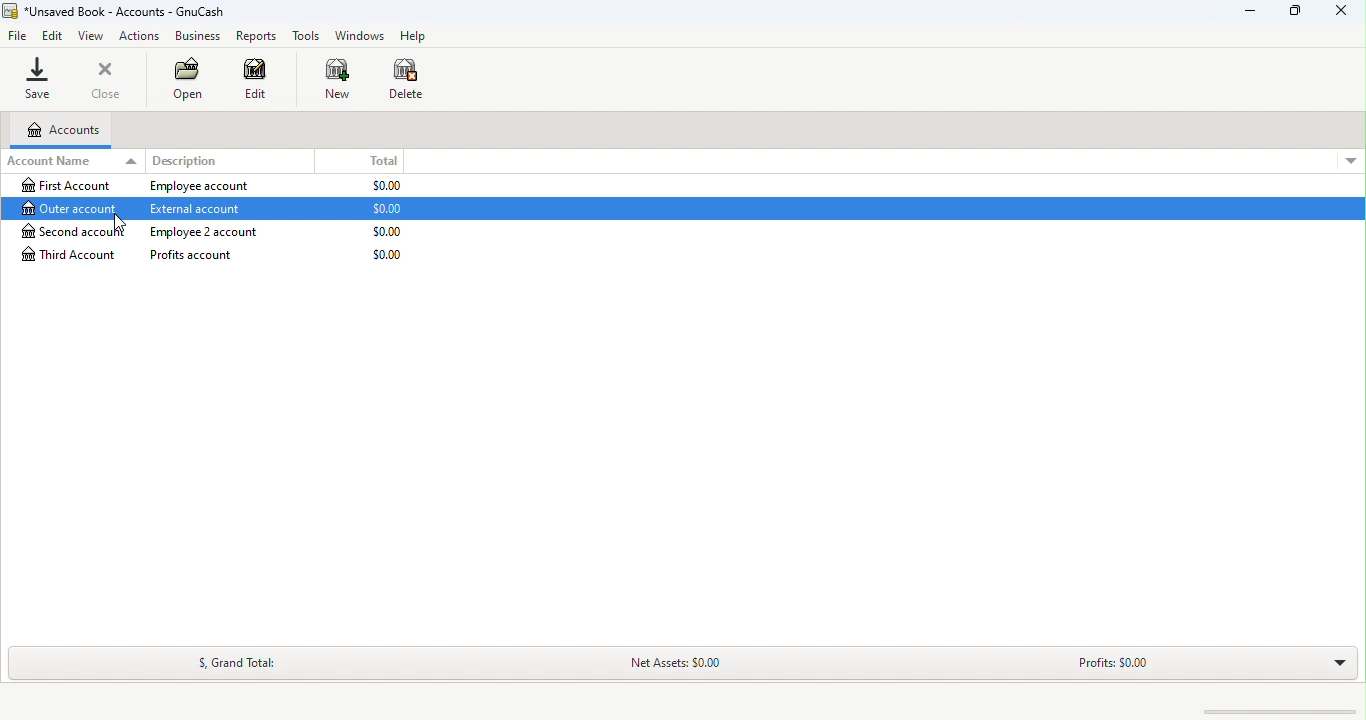 The width and height of the screenshot is (1366, 720). Describe the element at coordinates (249, 207) in the screenshot. I see `Outer account` at that location.